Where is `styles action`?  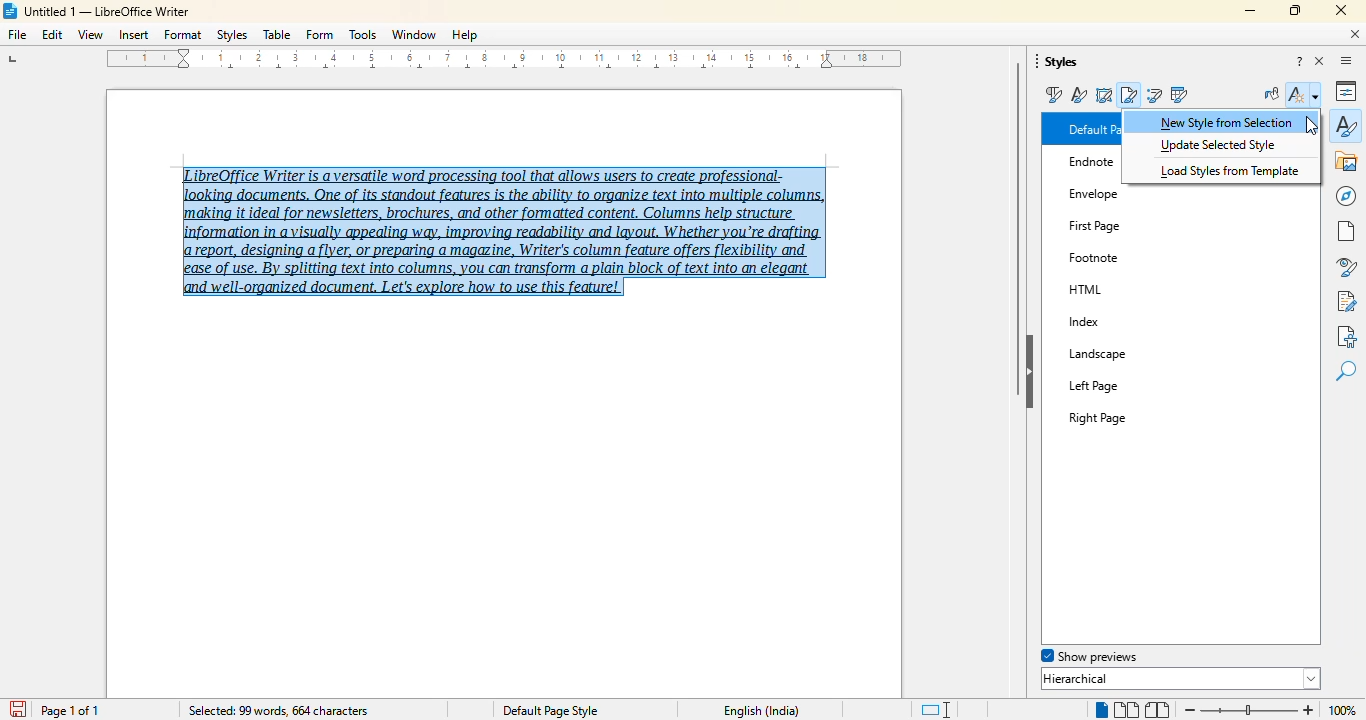
styles action is located at coordinates (1305, 94).